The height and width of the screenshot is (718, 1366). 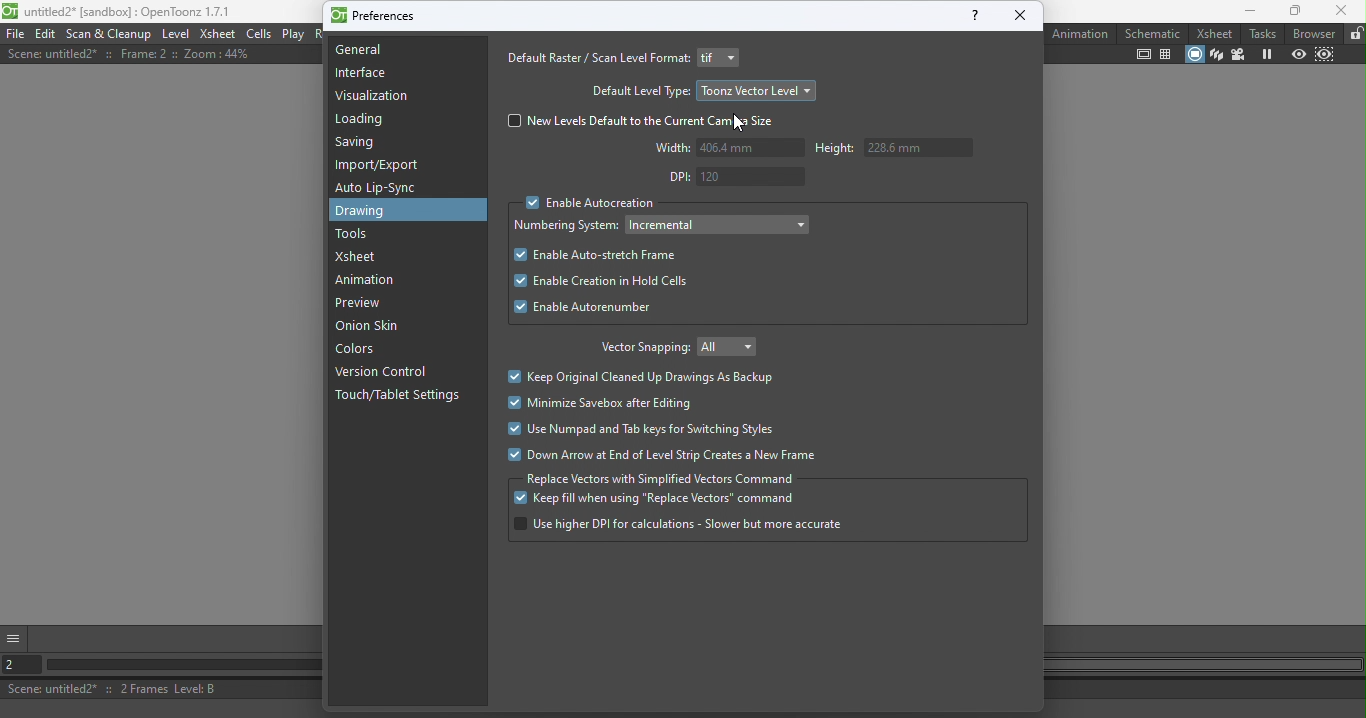 I want to click on Drop down menu, so click(x=719, y=58).